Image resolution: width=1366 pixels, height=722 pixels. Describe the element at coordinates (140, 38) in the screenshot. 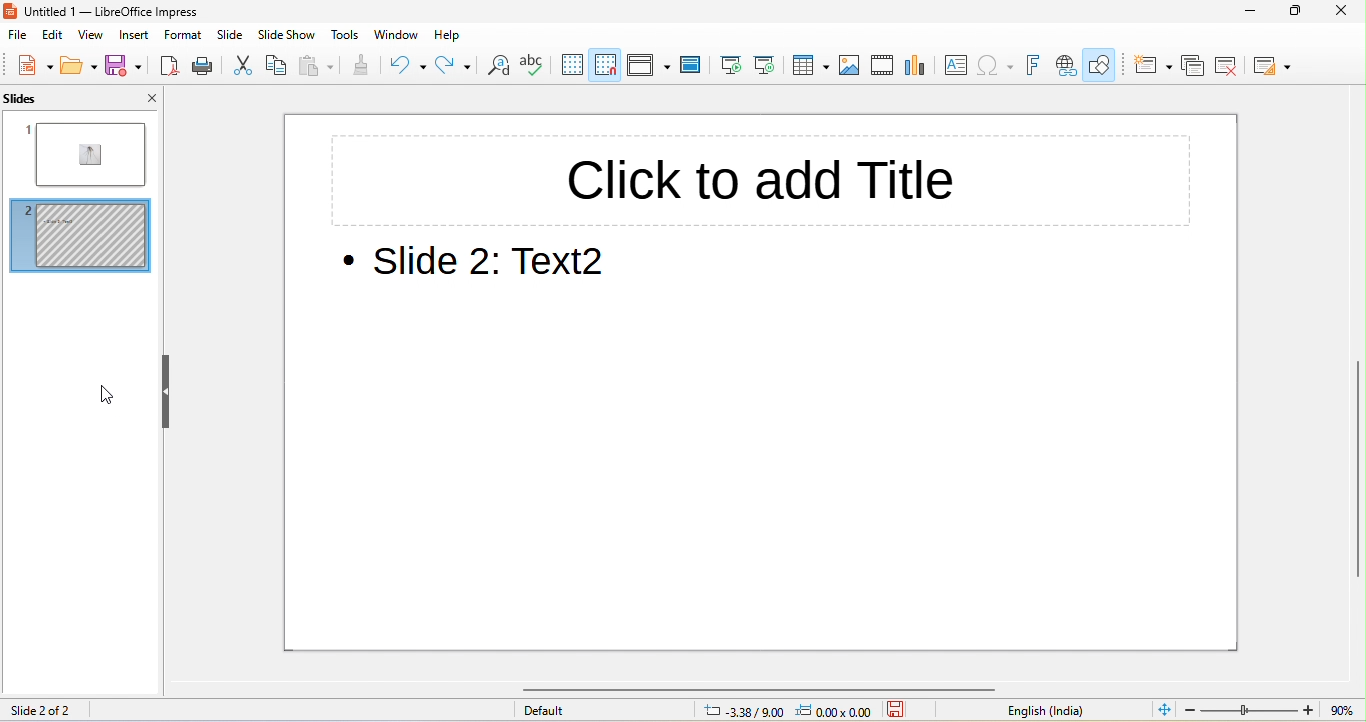

I see `insert` at that location.